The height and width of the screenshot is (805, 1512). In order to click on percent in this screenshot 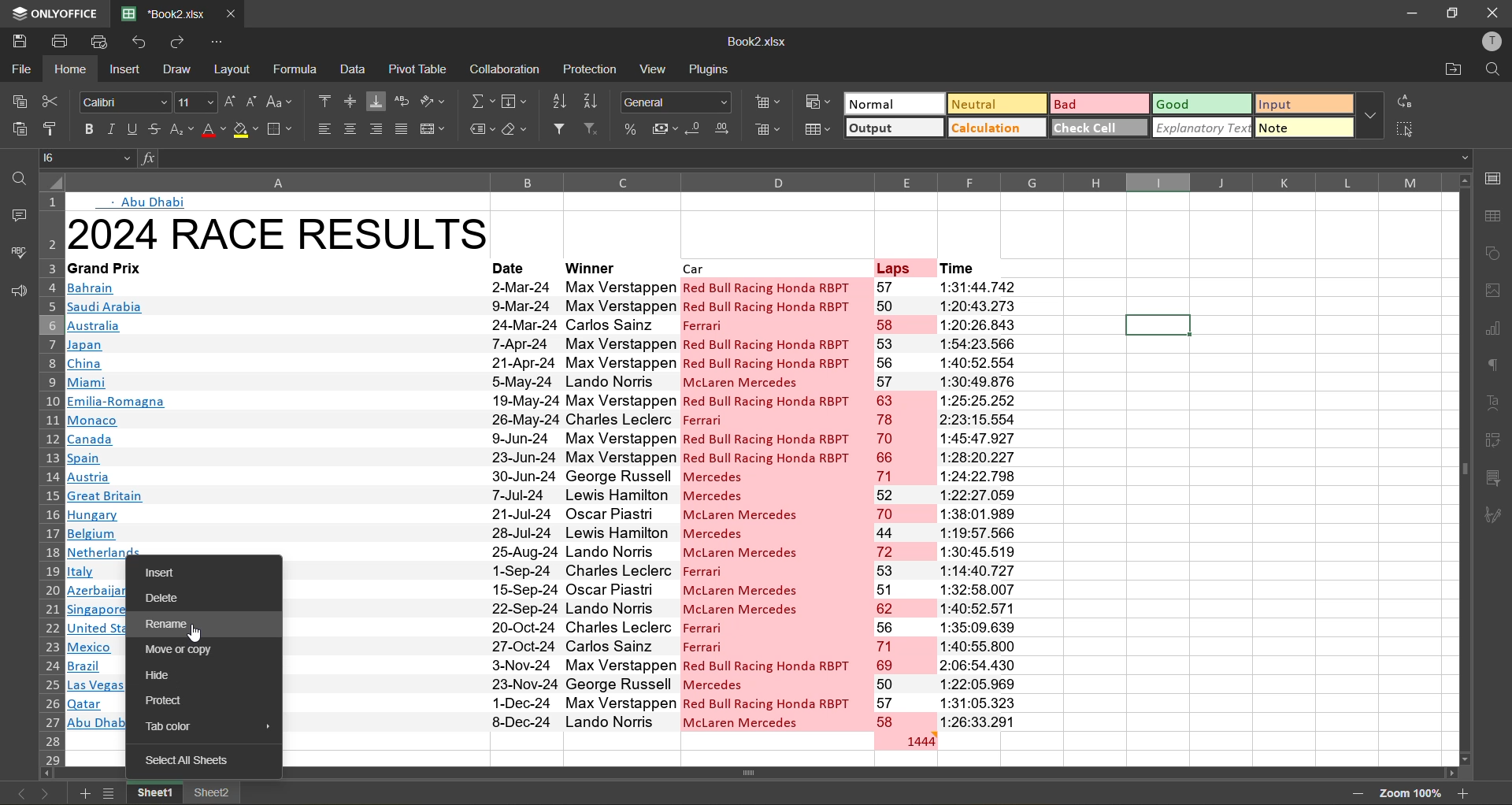, I will do `click(628, 130)`.